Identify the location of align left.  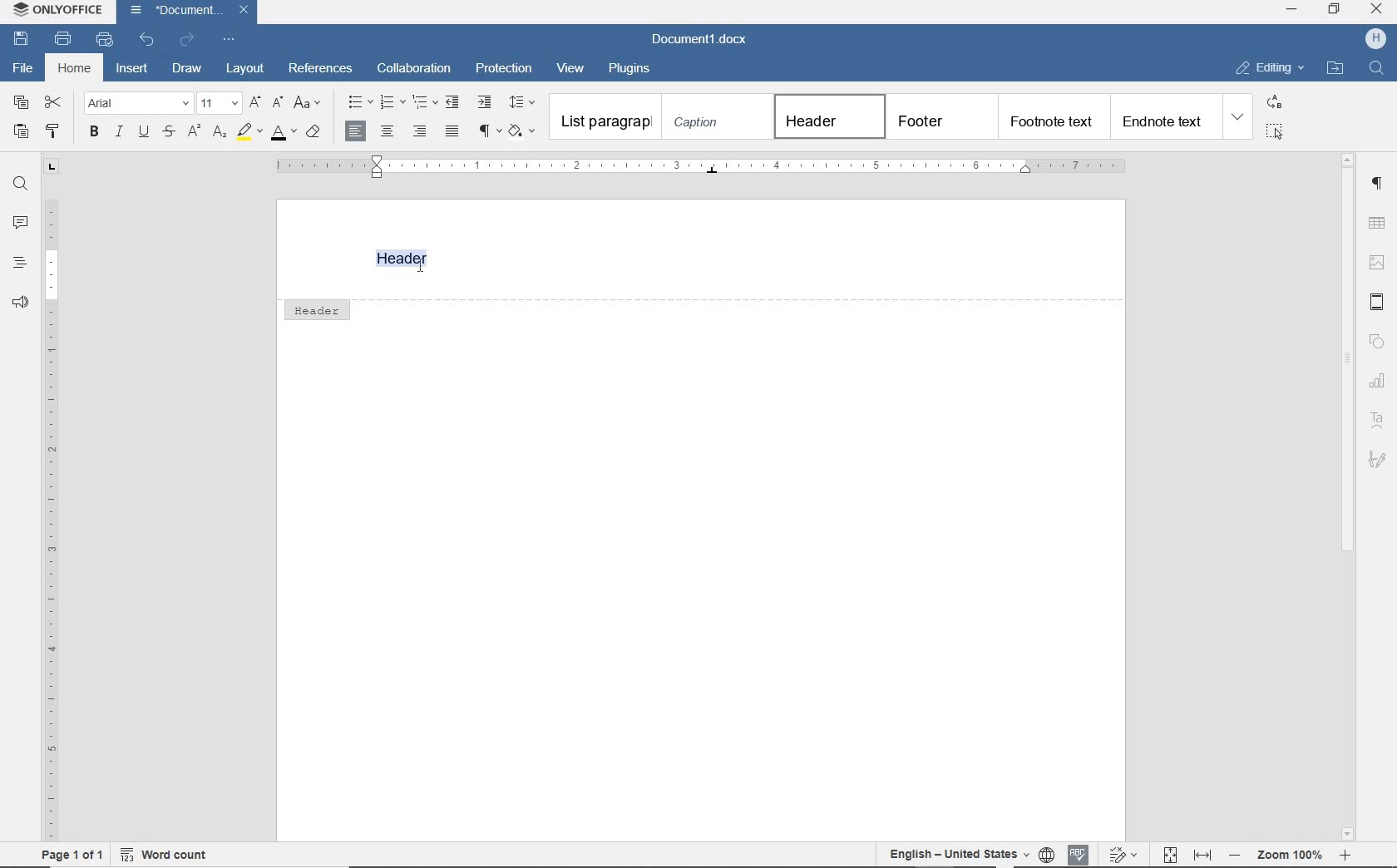
(357, 131).